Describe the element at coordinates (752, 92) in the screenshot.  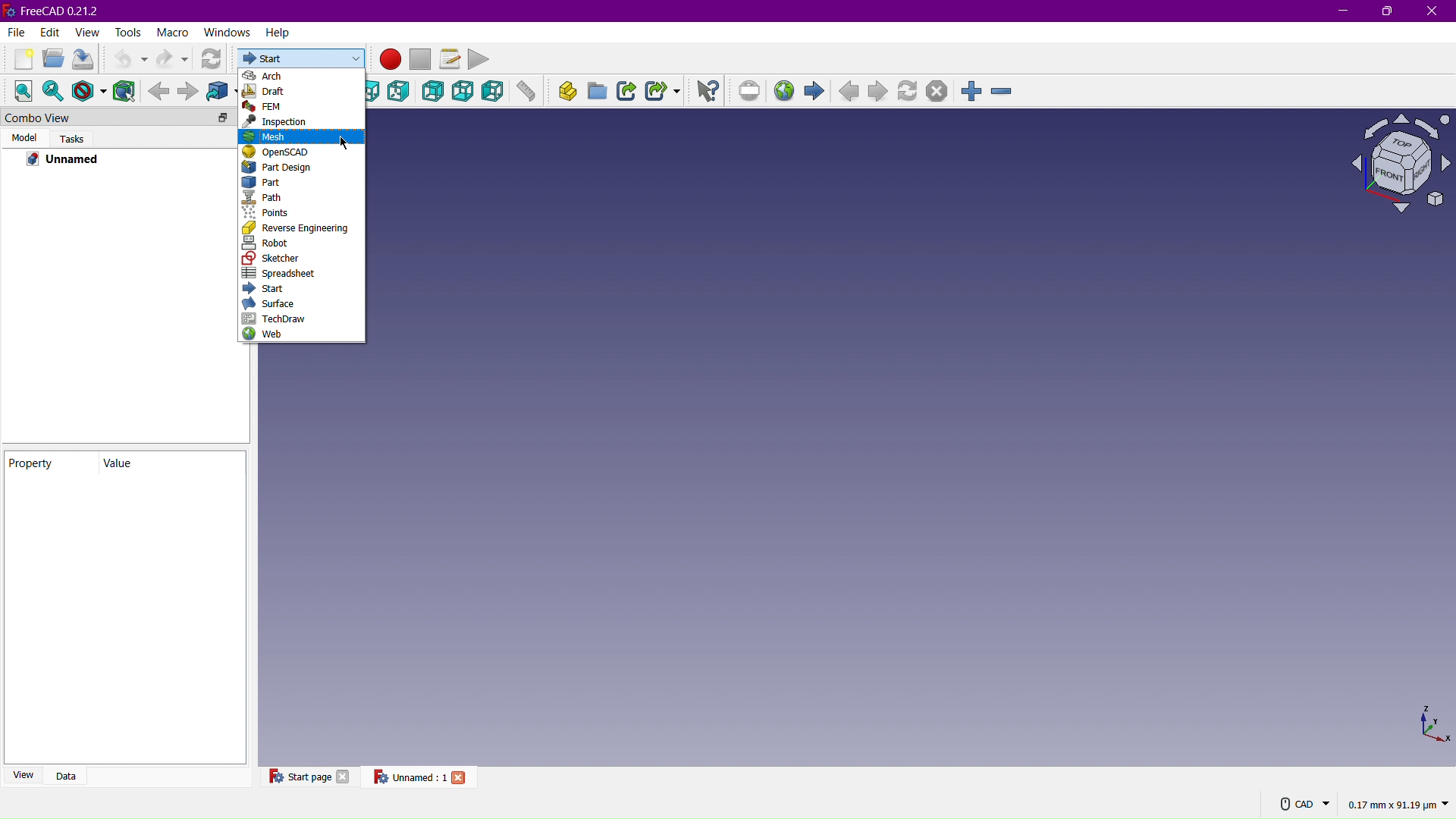
I see `Set webpage` at that location.